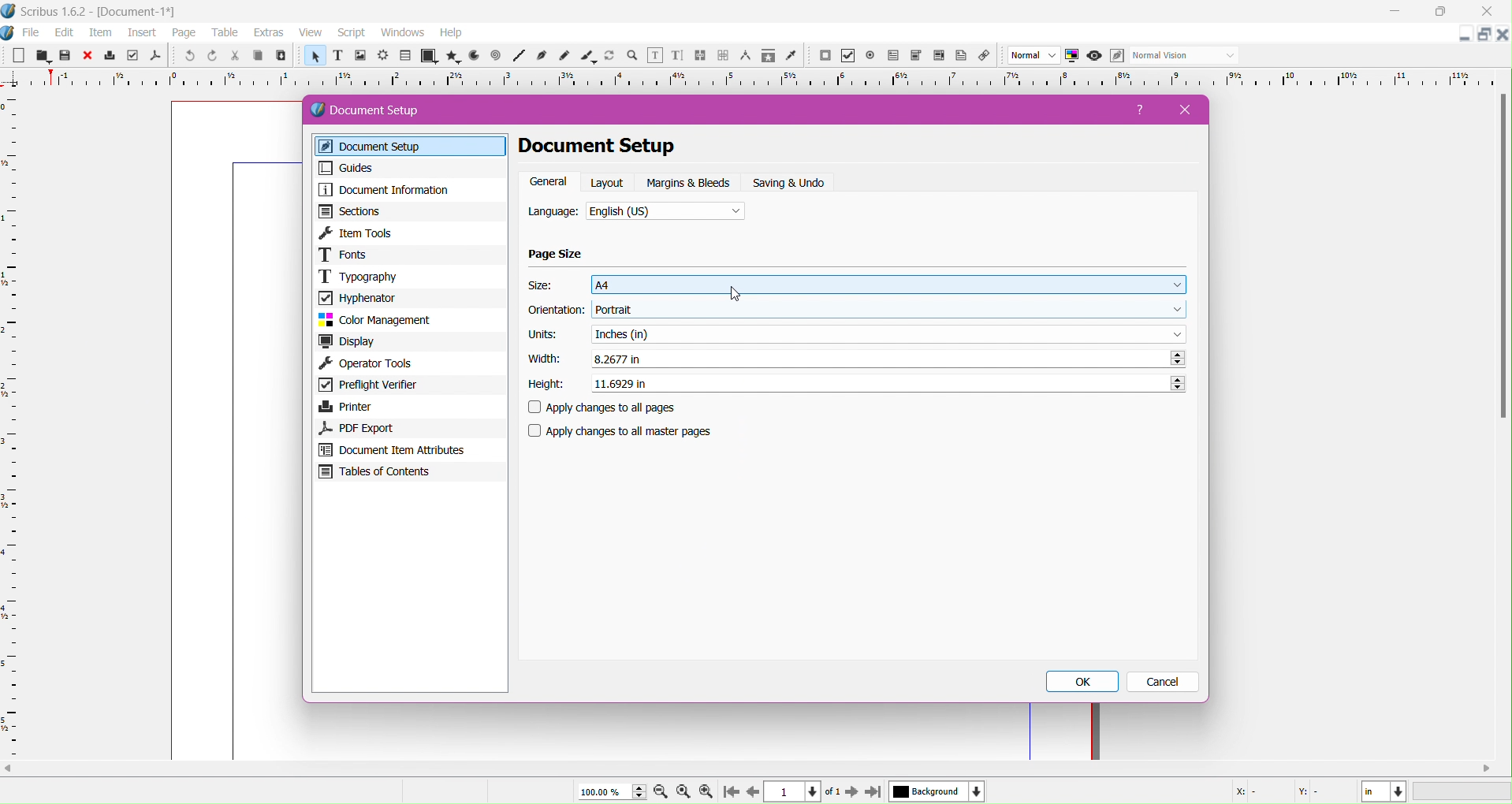 This screenshot has height=804, width=1512. Describe the element at coordinates (988, 56) in the screenshot. I see `link annotations` at that location.